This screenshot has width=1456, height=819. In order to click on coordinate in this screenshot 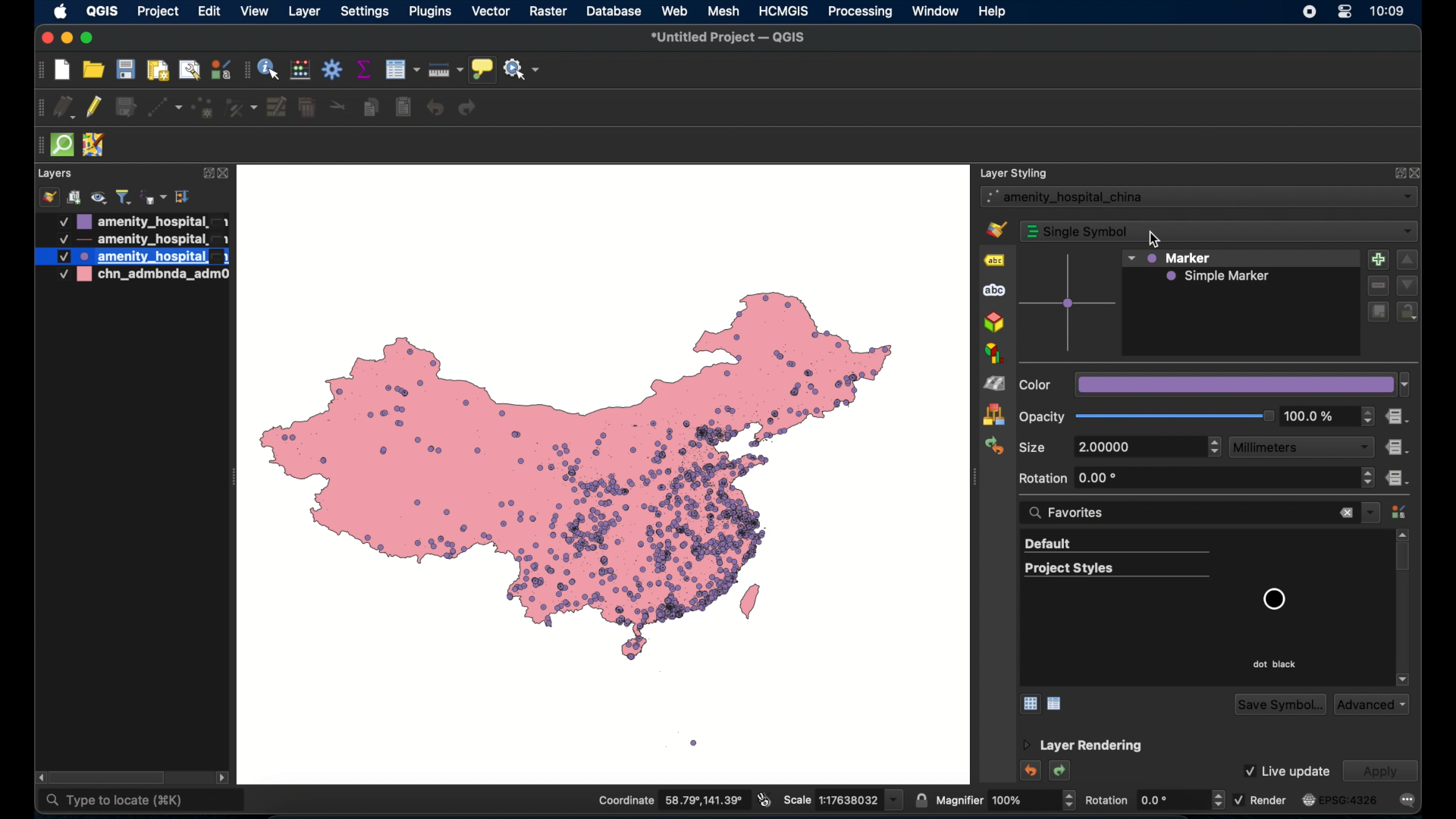, I will do `click(670, 799)`.